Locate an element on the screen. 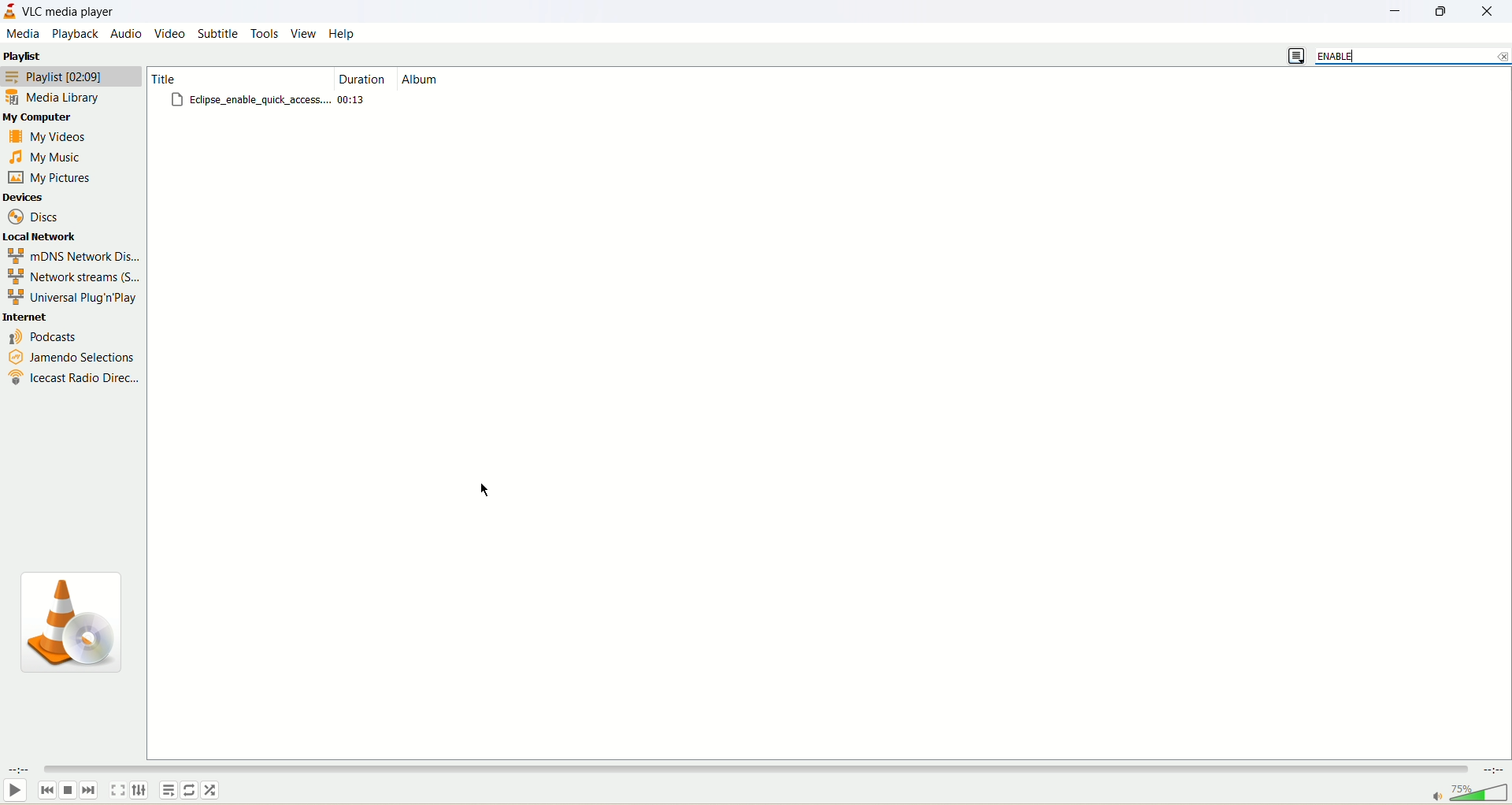  view is located at coordinates (301, 33).